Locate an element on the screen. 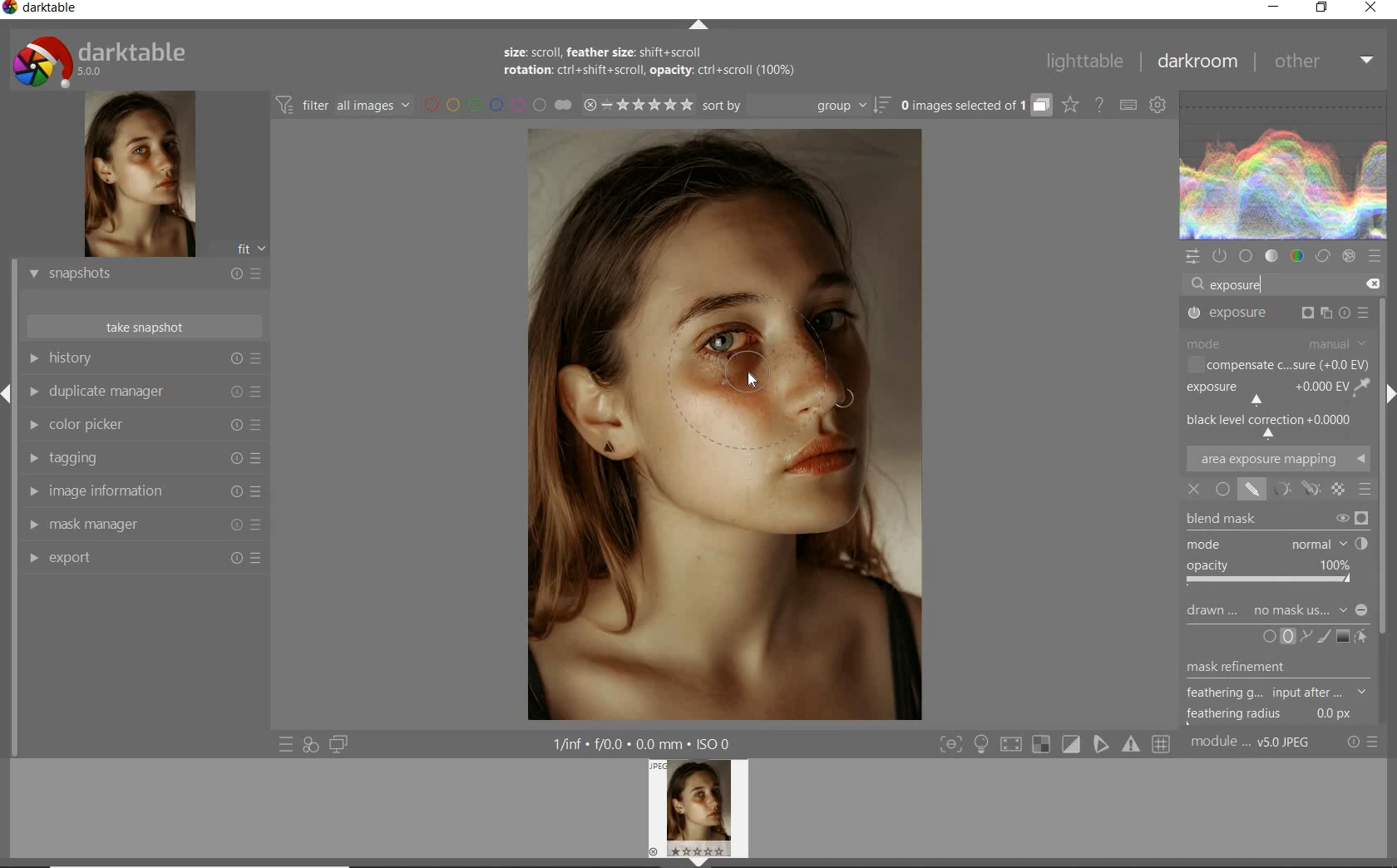 This screenshot has width=1397, height=868. scrollbar is located at coordinates (1382, 452).